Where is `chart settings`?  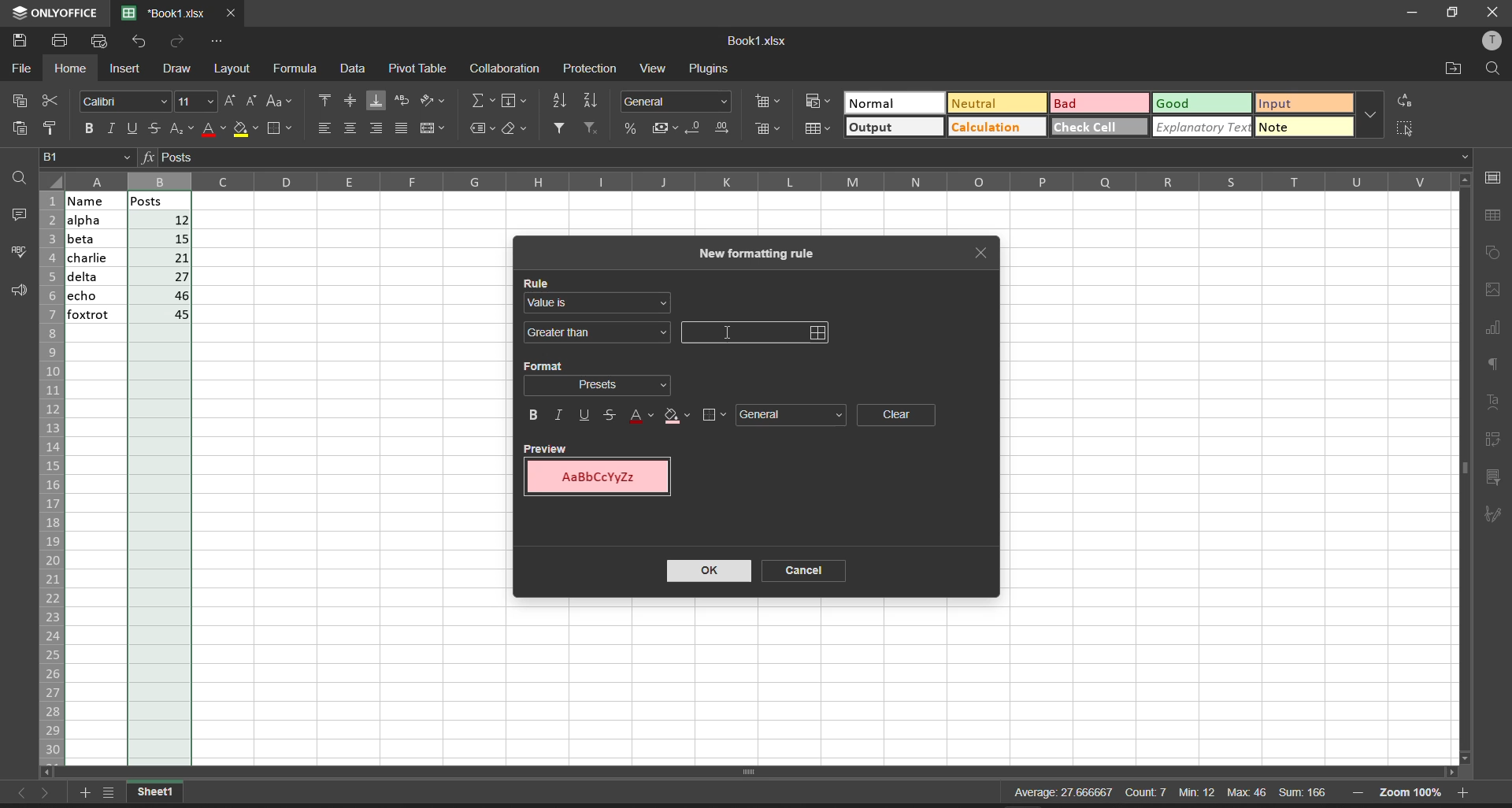 chart settings is located at coordinates (1497, 329).